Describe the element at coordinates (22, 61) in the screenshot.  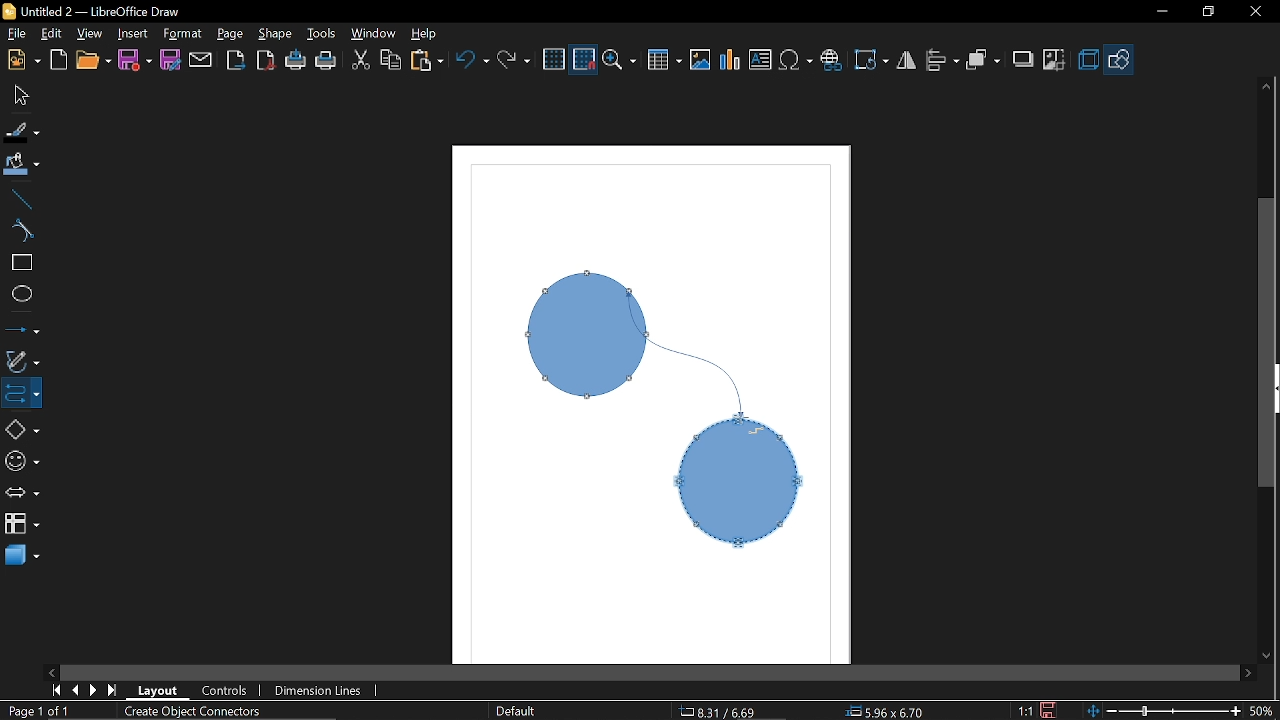
I see `New` at that location.